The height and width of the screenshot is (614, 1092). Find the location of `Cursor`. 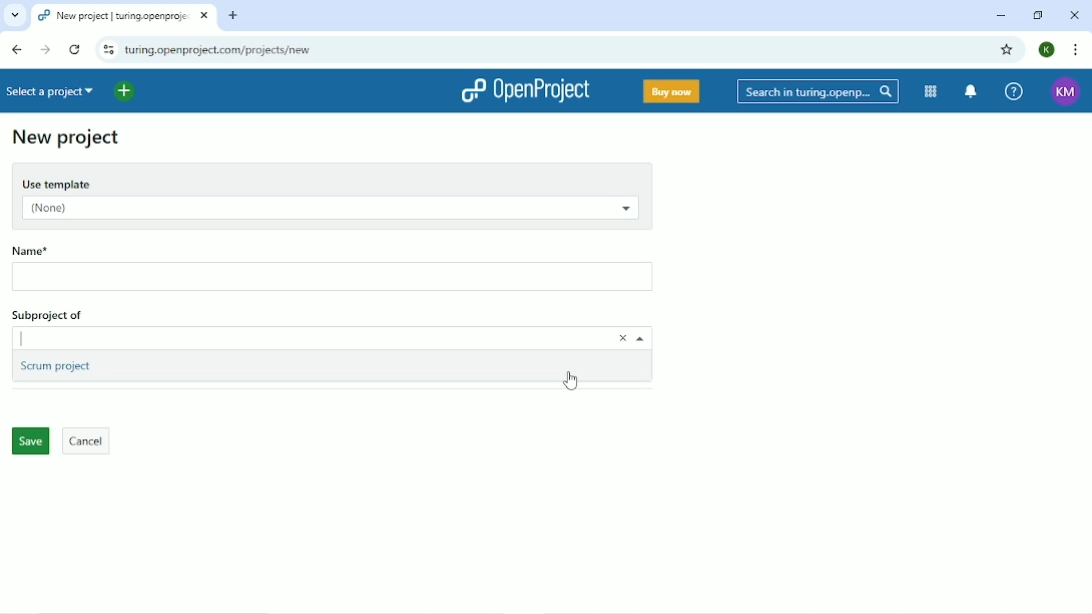

Cursor is located at coordinates (575, 380).